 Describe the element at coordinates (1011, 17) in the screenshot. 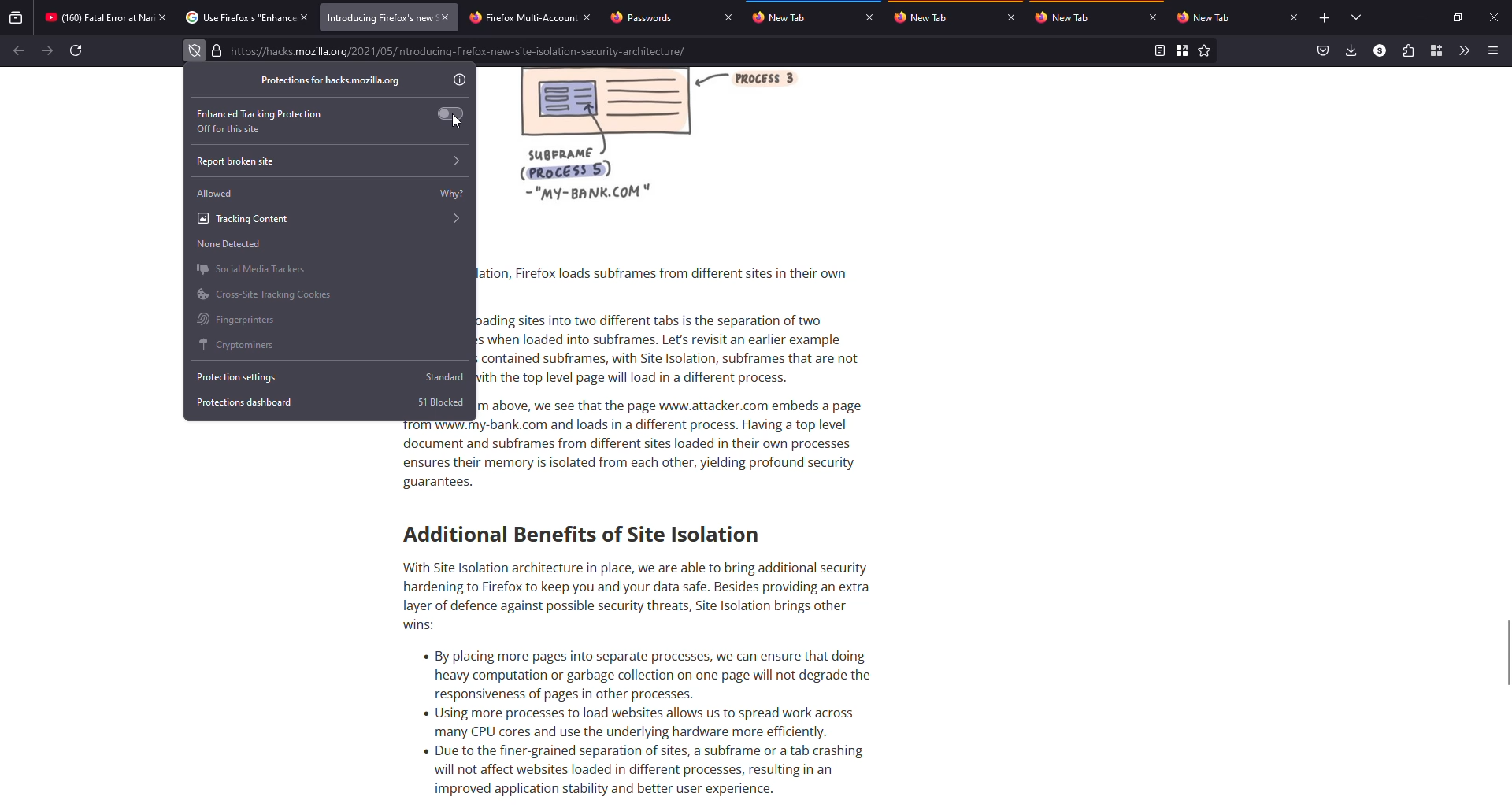

I see `close` at that location.